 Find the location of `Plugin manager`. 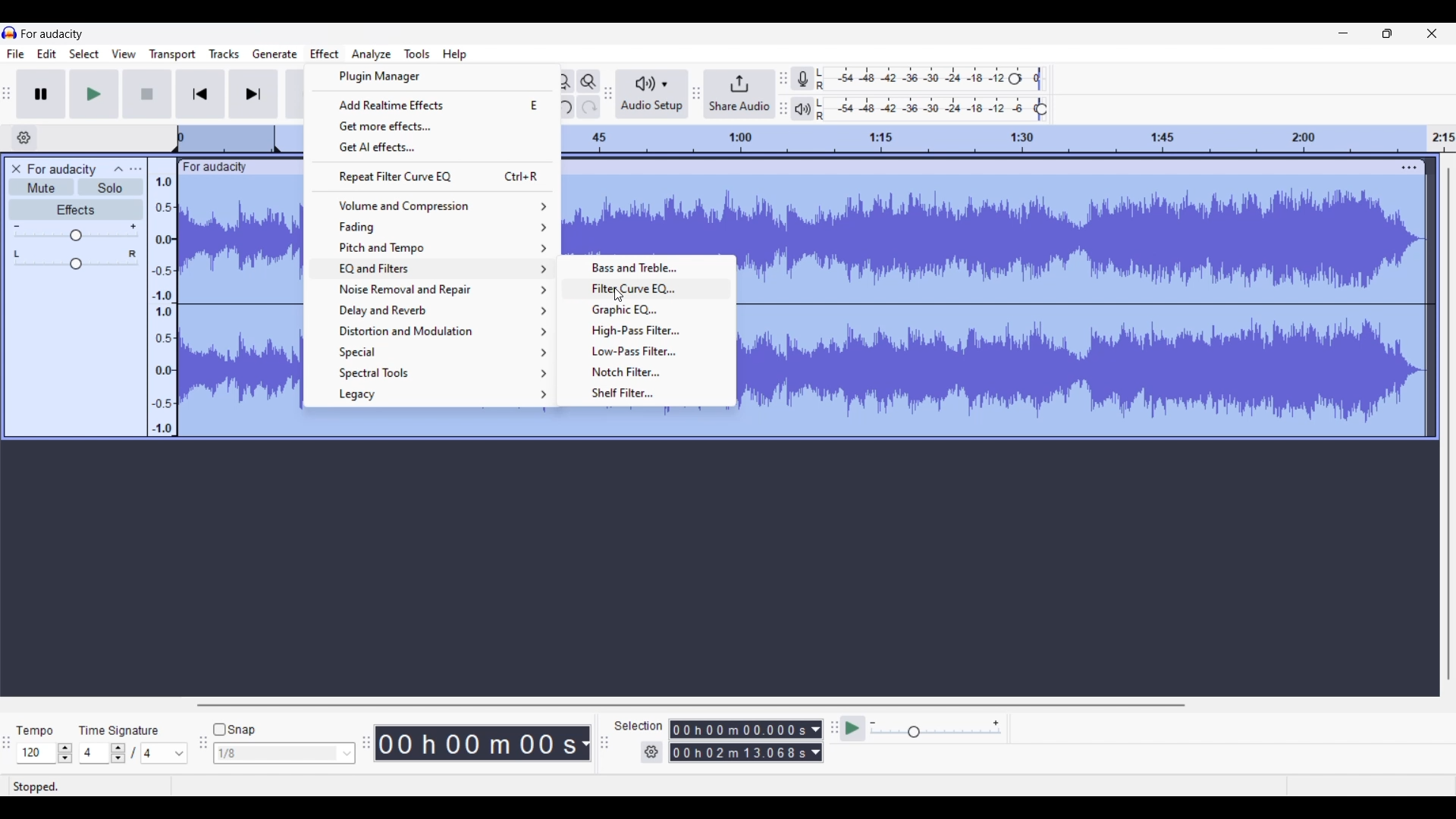

Plugin manager is located at coordinates (431, 77).